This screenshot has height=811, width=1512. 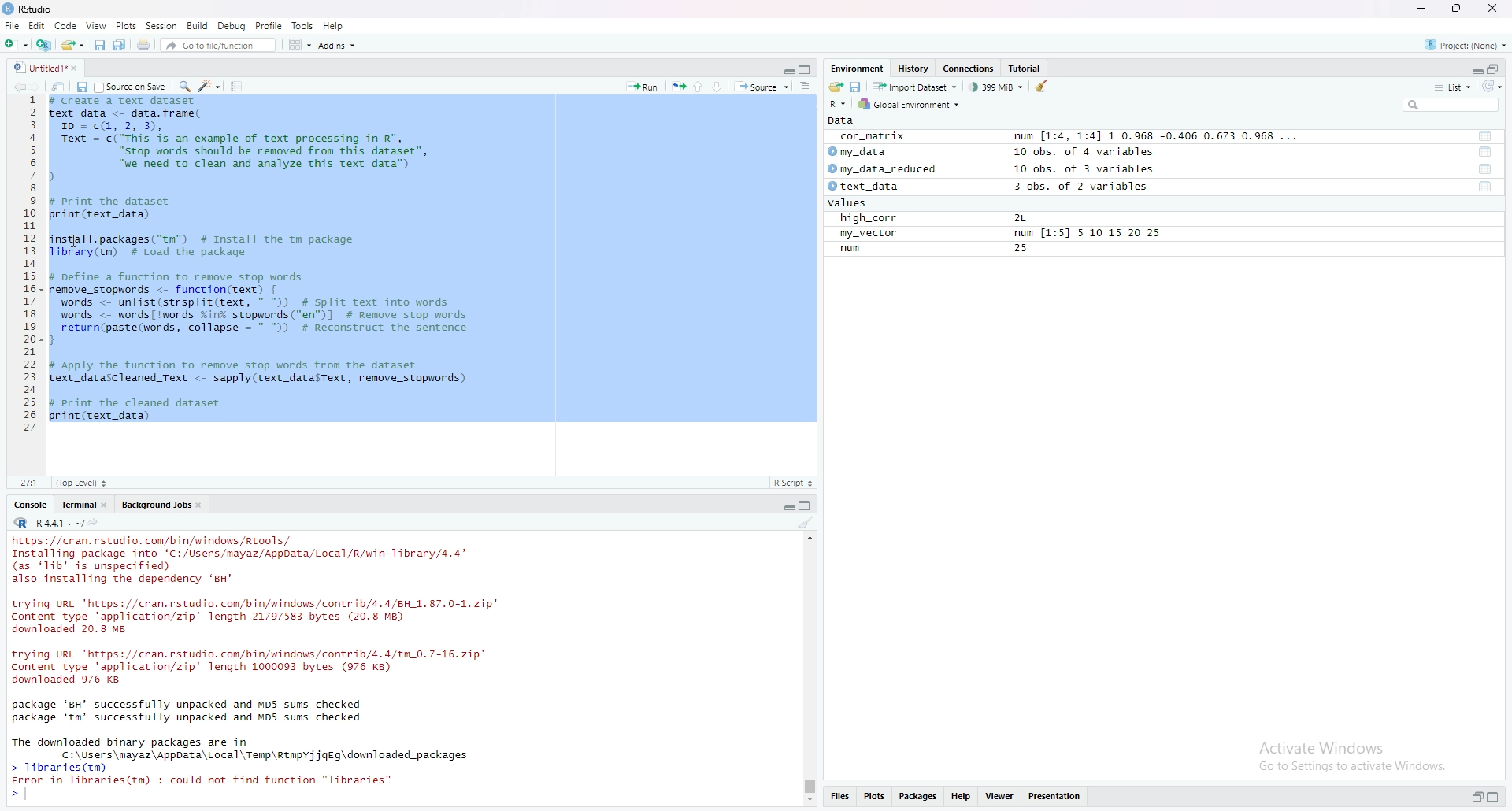 What do you see at coordinates (239, 85) in the screenshot?
I see `compile report` at bounding box center [239, 85].